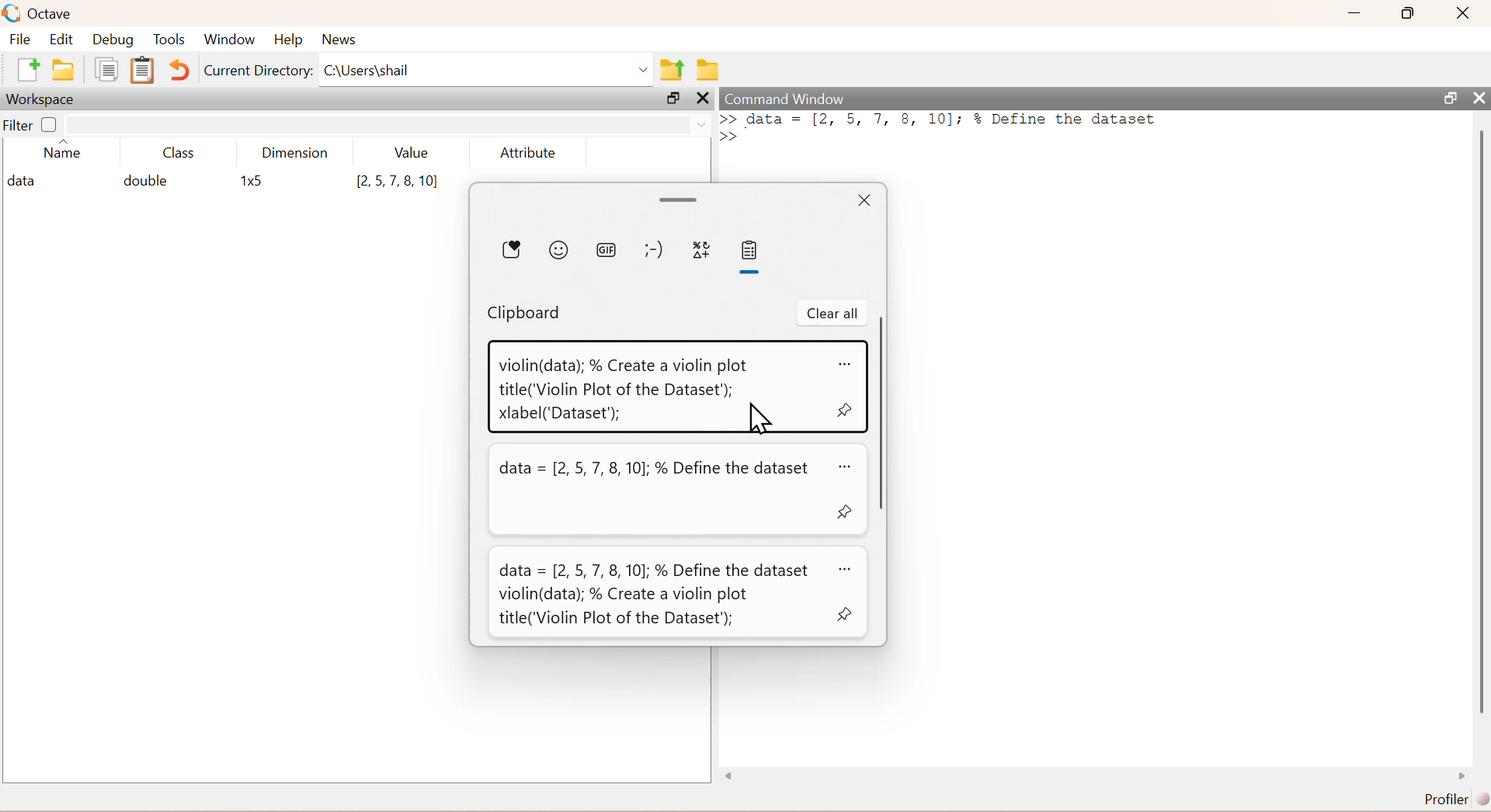  I want to click on help, so click(289, 40).